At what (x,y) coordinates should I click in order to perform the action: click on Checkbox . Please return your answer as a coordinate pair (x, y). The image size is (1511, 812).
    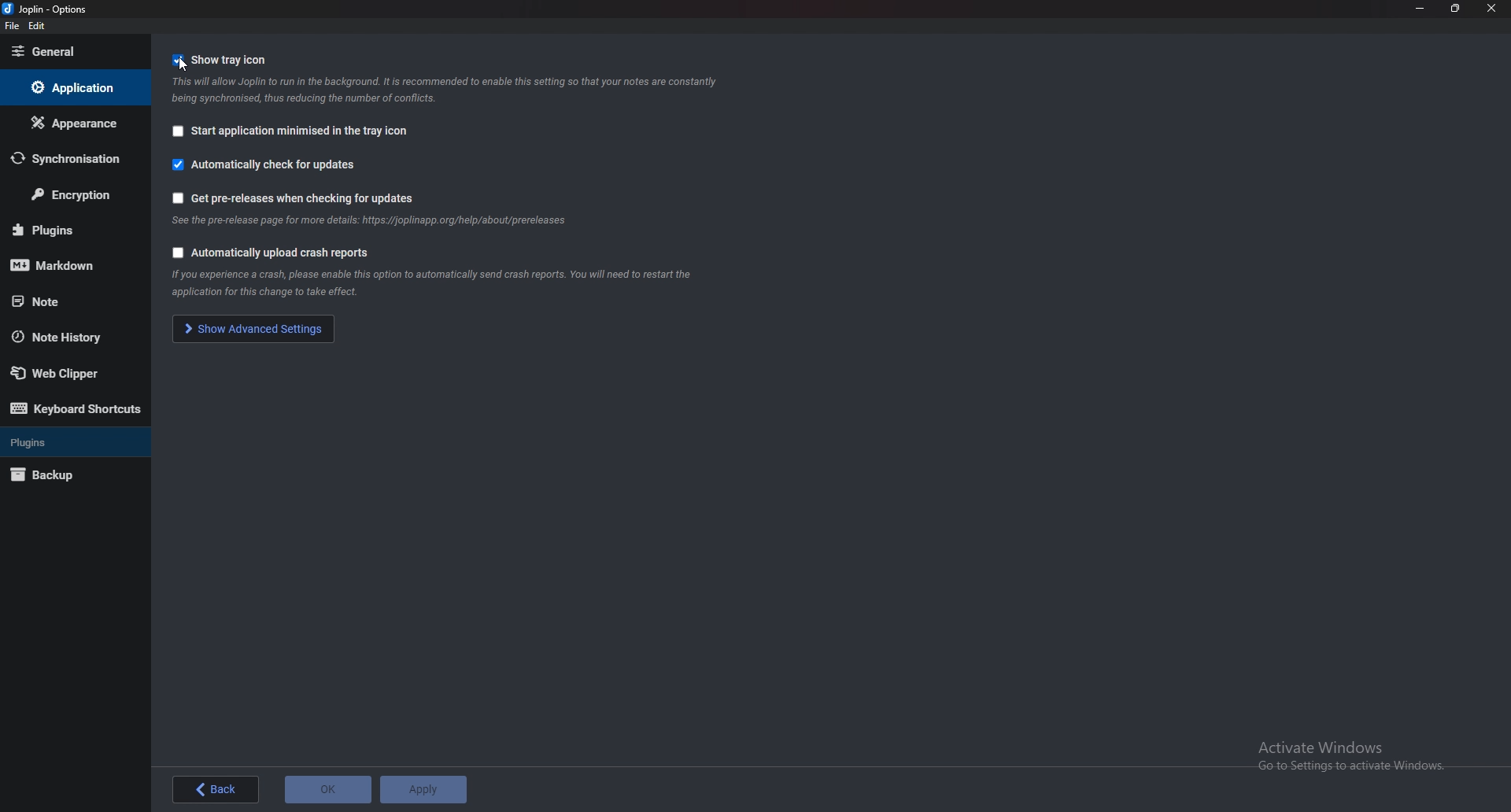
    Looking at the image, I should click on (177, 197).